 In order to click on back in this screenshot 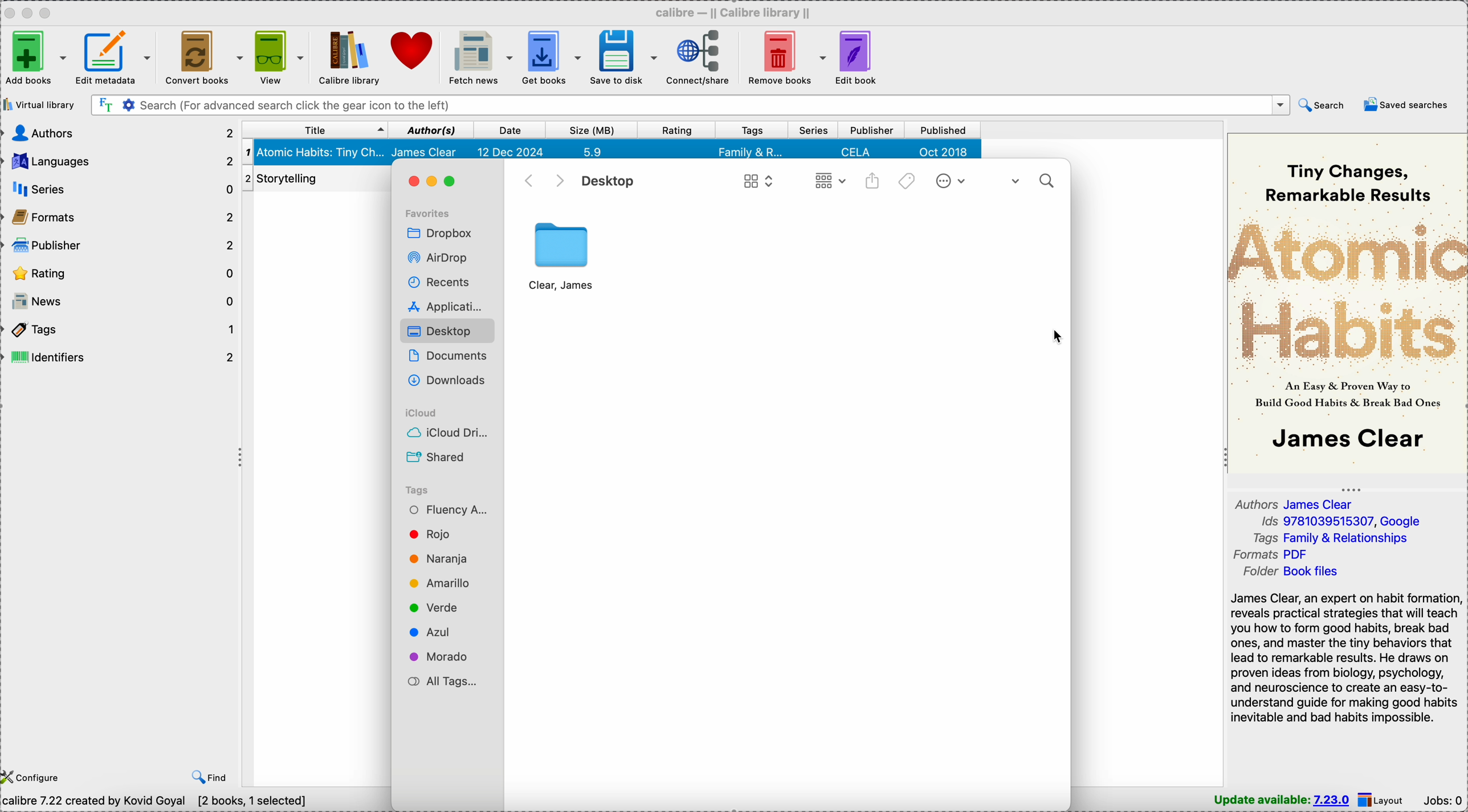, I will do `click(527, 182)`.